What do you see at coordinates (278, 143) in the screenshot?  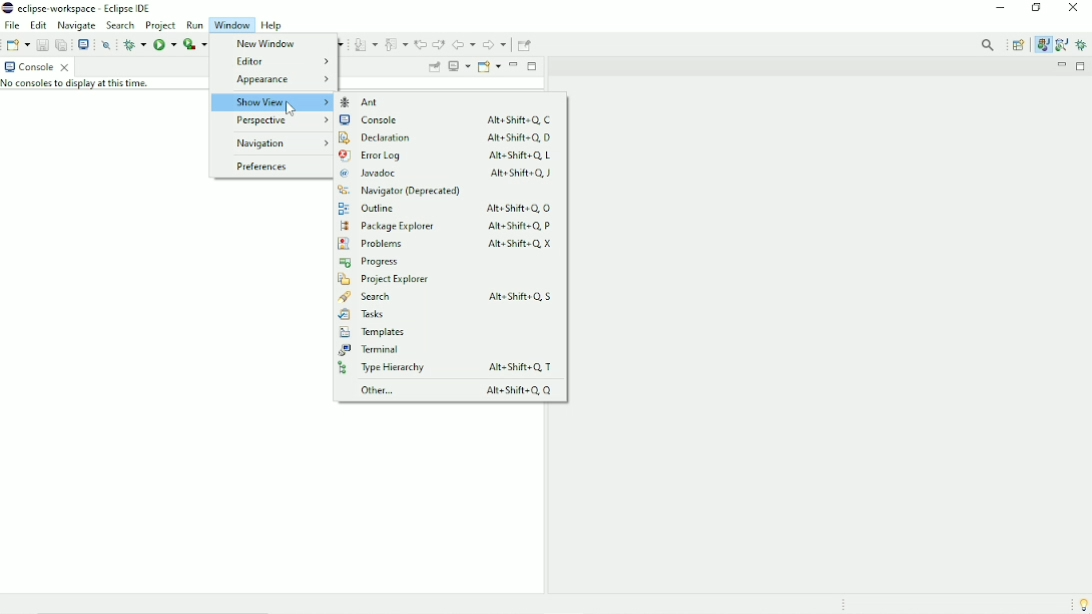 I see `Navigation` at bounding box center [278, 143].